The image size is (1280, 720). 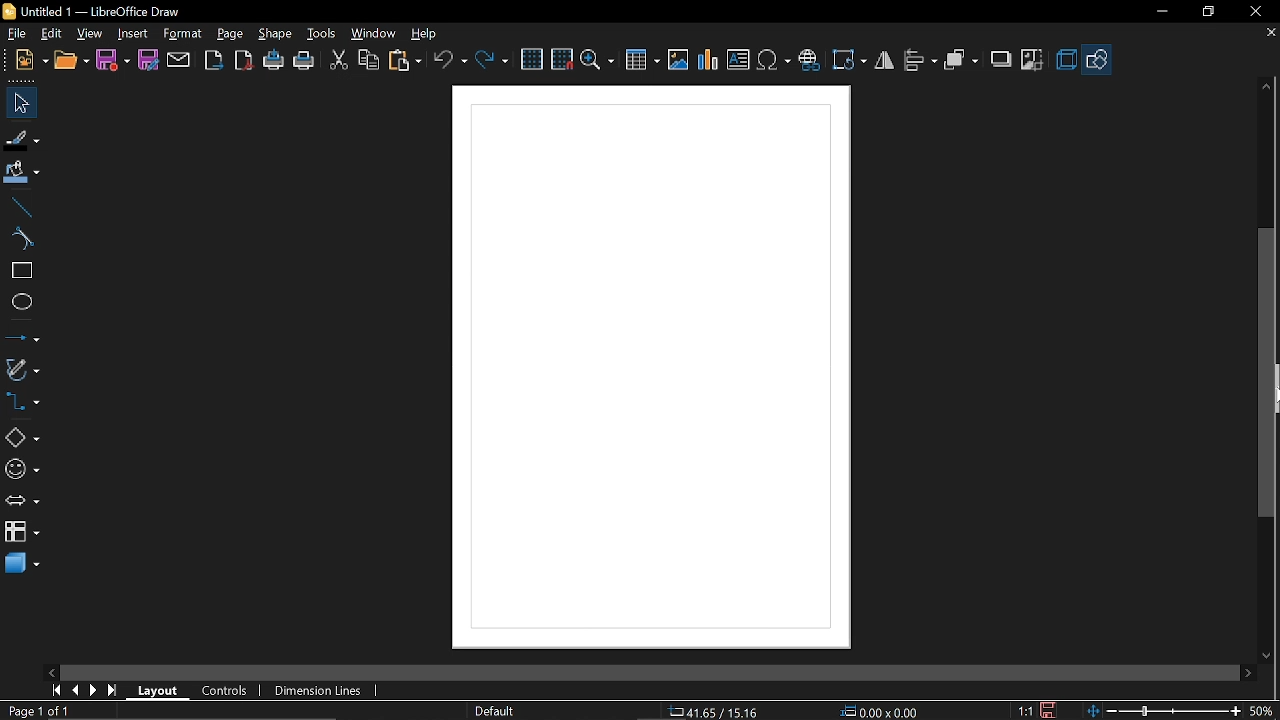 I want to click on help, so click(x=426, y=34).